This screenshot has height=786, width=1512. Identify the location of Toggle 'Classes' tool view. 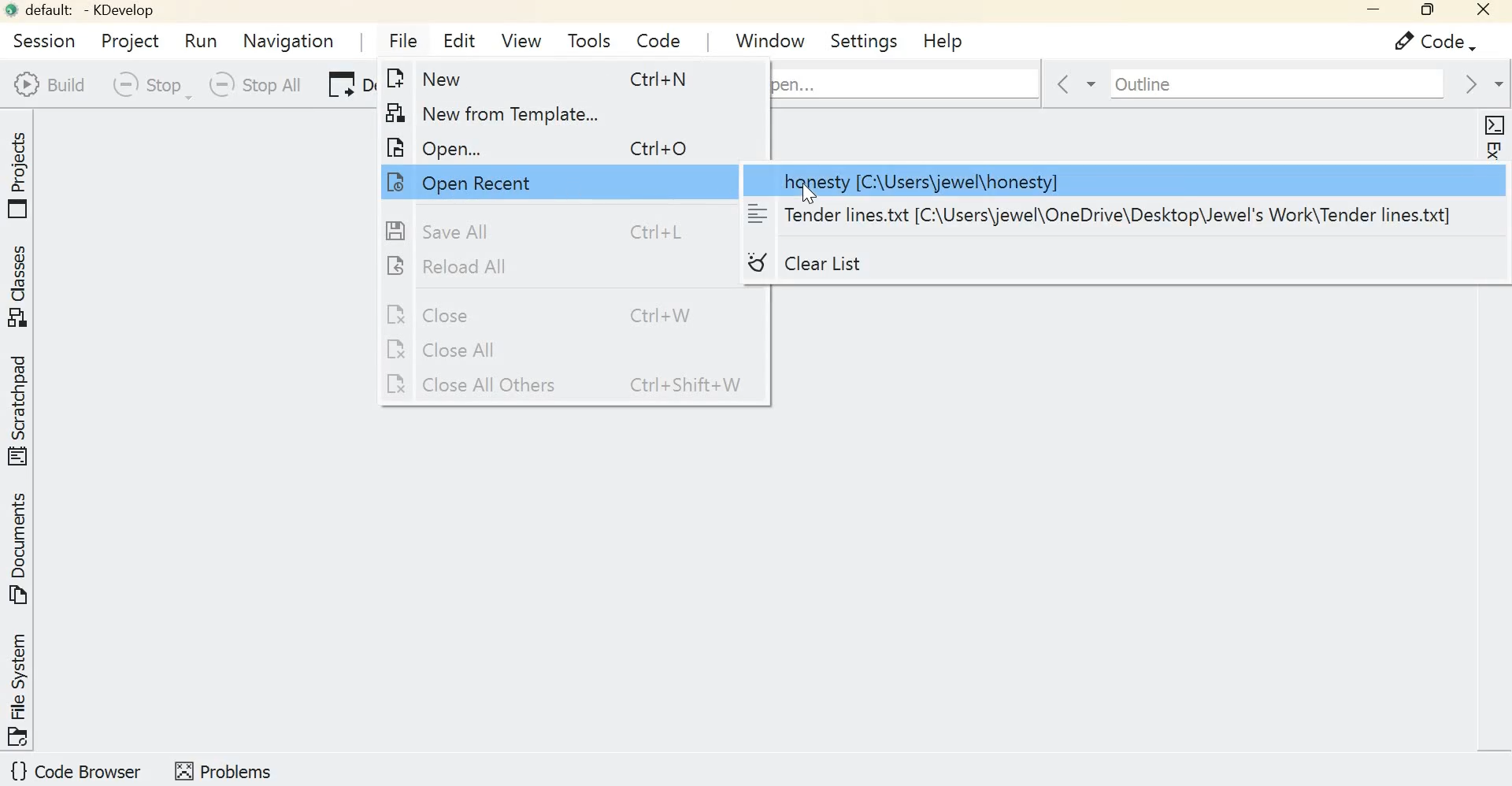
(21, 287).